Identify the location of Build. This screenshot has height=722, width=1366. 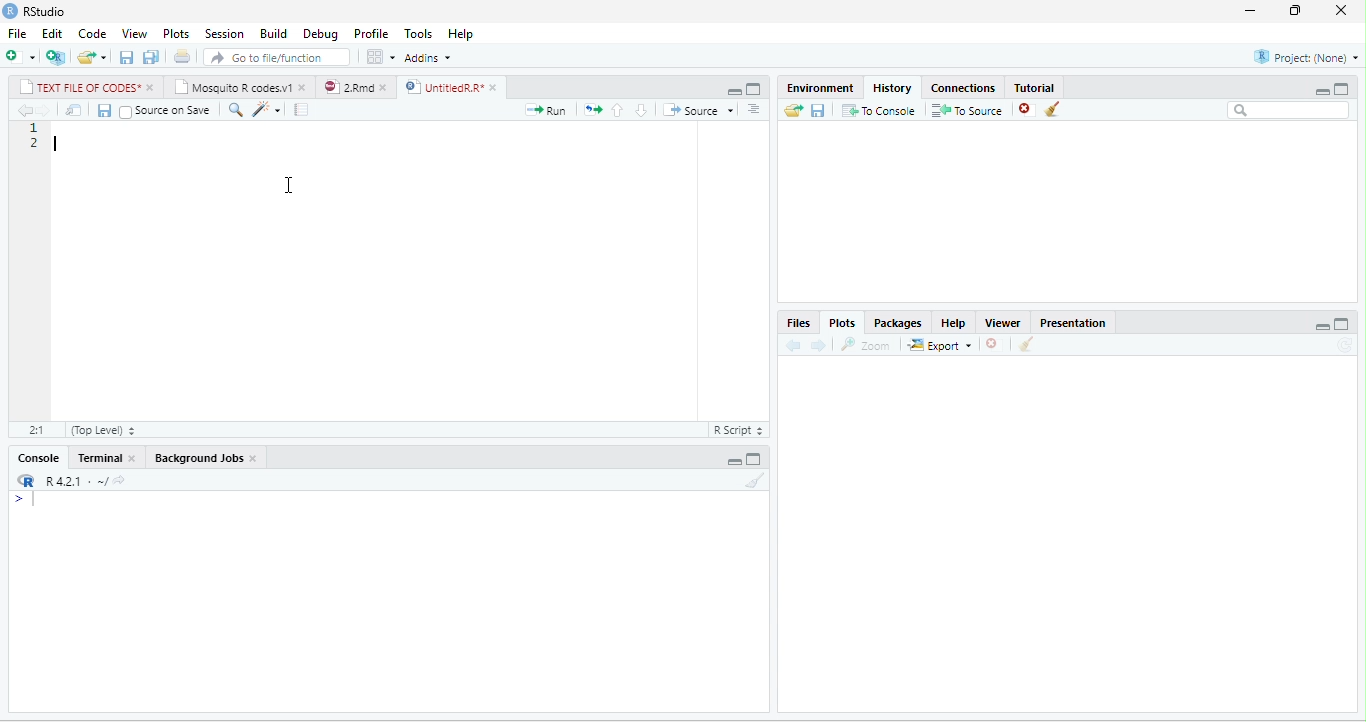
(273, 33).